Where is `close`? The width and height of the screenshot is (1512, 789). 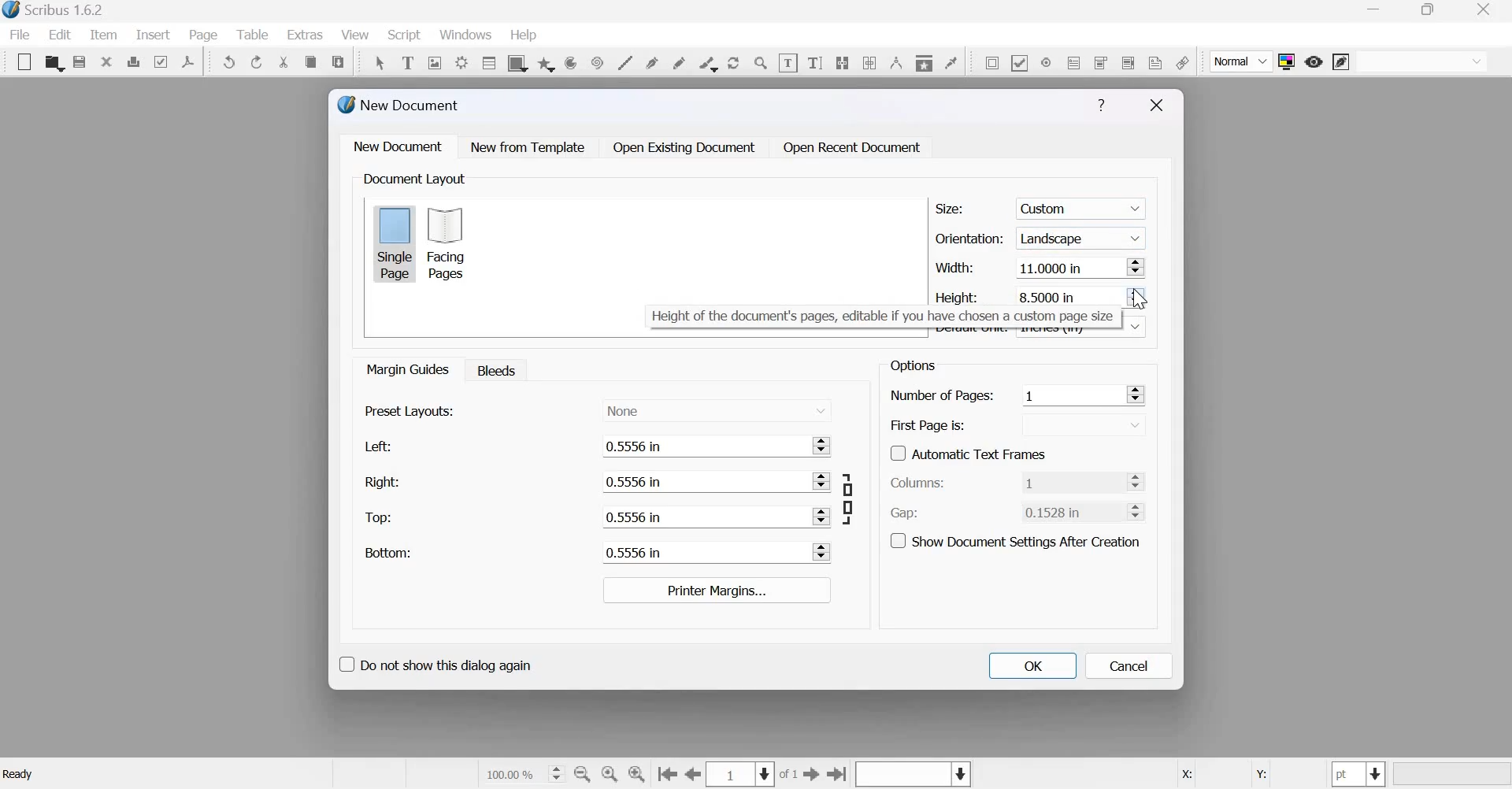
close is located at coordinates (106, 61).